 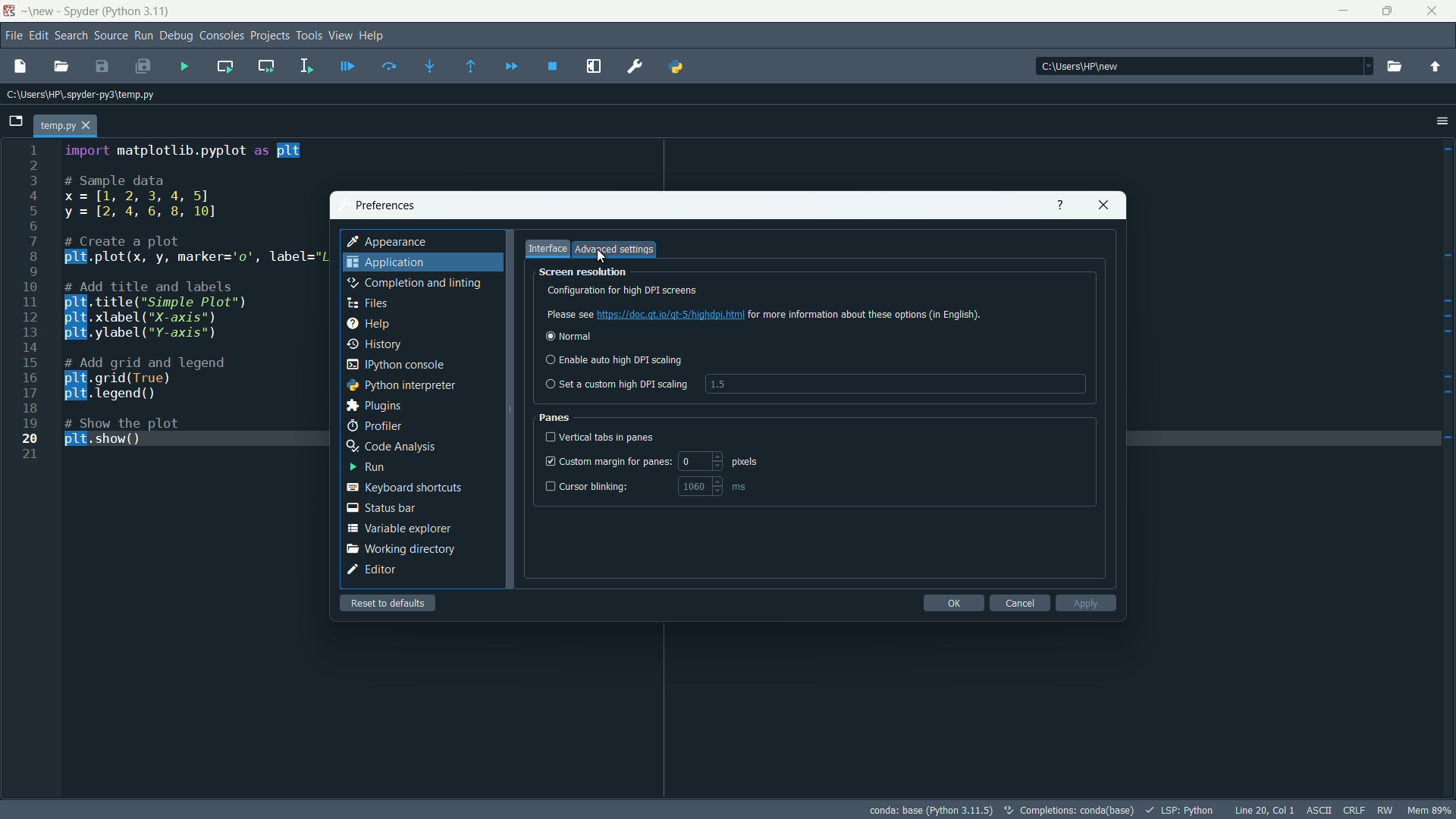 I want to click on execute until function, so click(x=472, y=67).